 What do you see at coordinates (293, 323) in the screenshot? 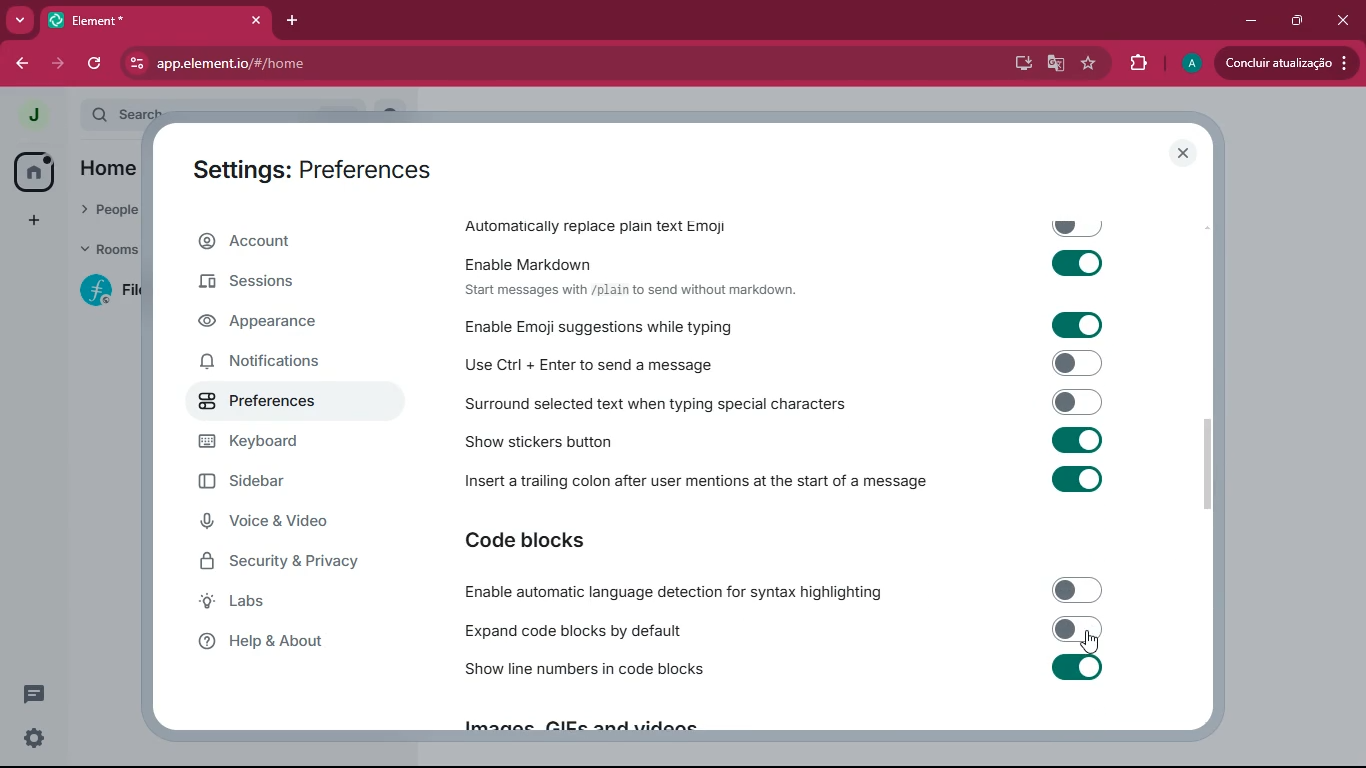
I see `appearance` at bounding box center [293, 323].